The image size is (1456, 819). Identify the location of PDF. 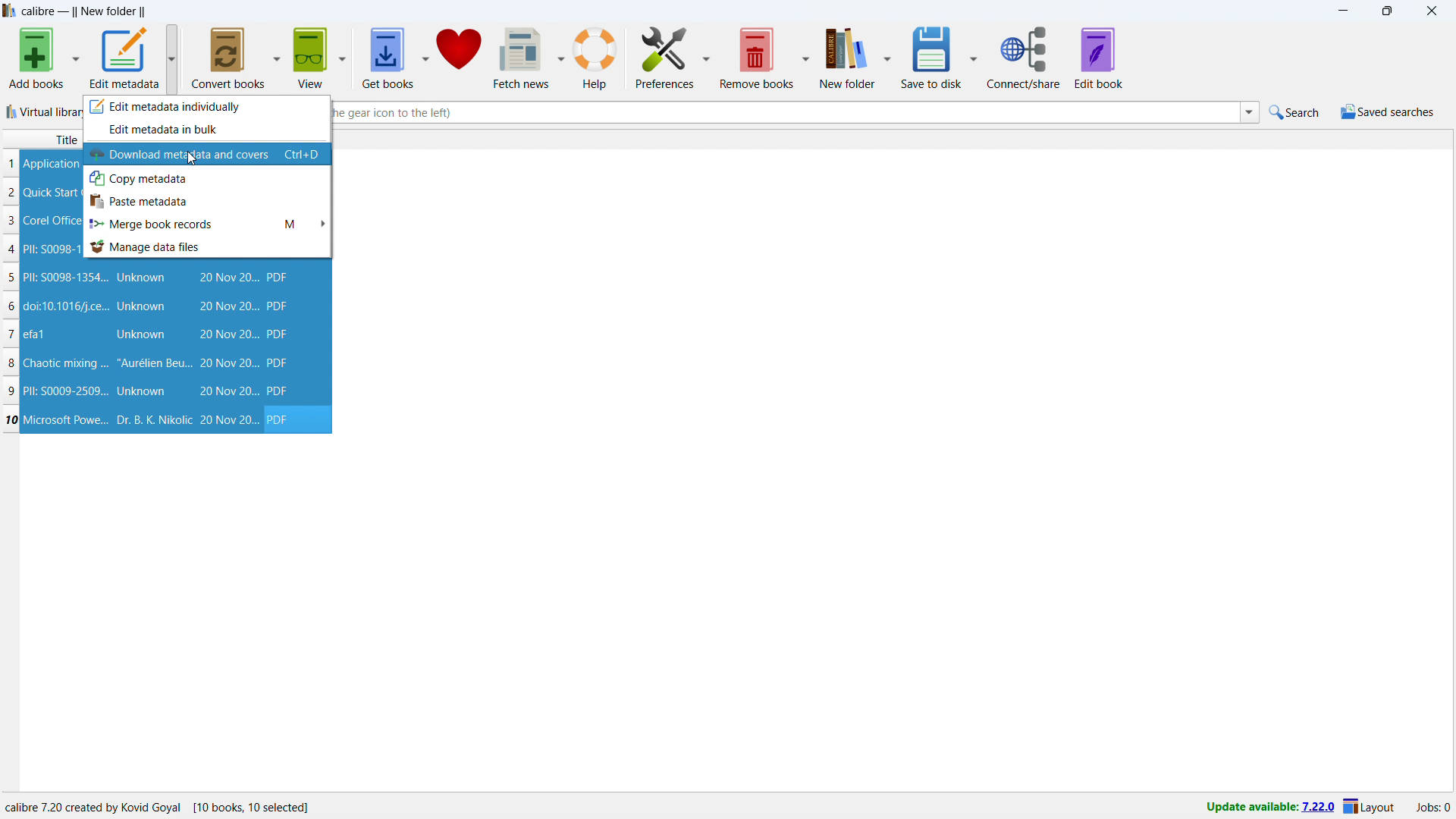
(279, 306).